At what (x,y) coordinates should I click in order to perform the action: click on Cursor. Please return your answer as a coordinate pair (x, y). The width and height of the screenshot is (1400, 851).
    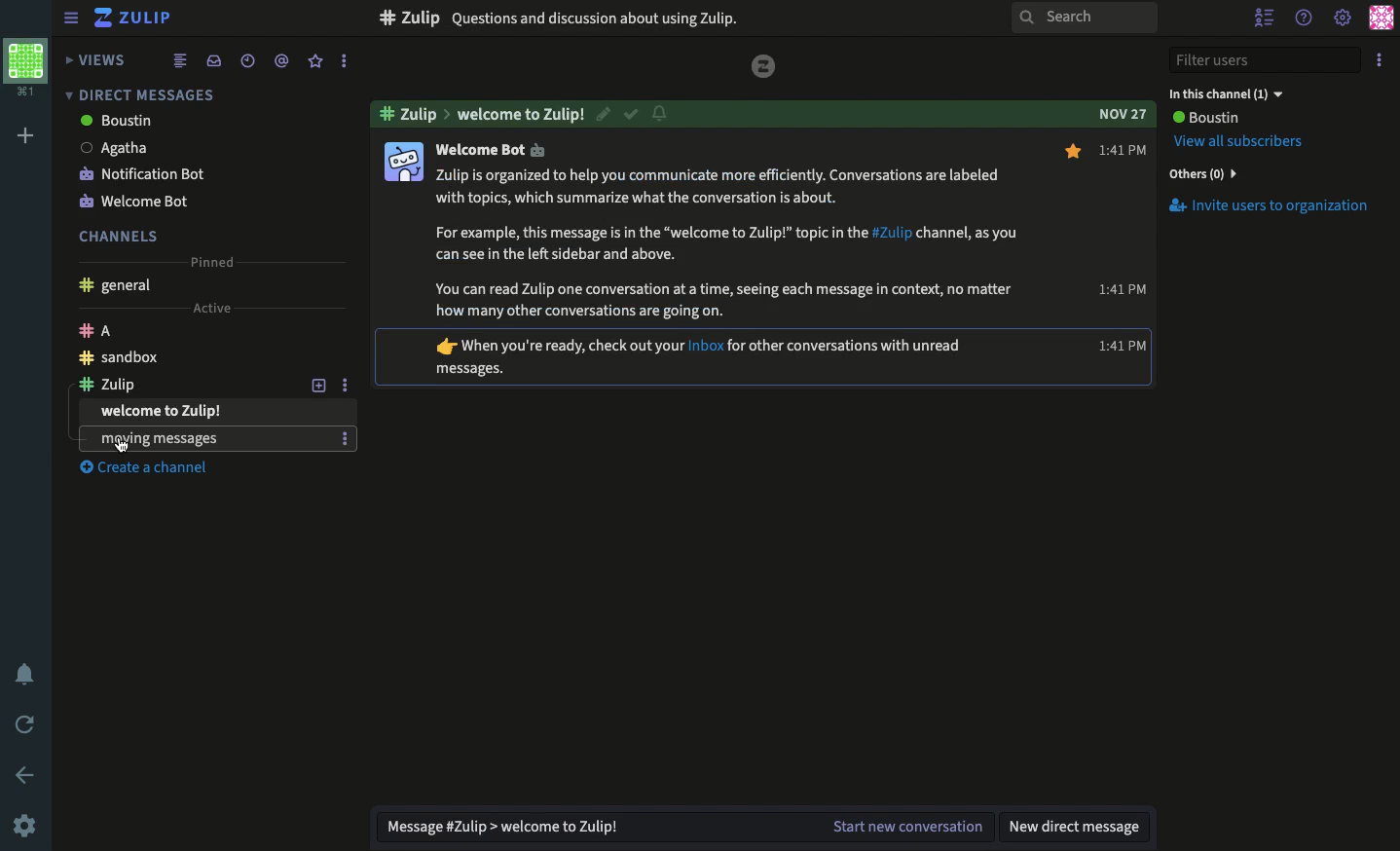
    Looking at the image, I should click on (122, 445).